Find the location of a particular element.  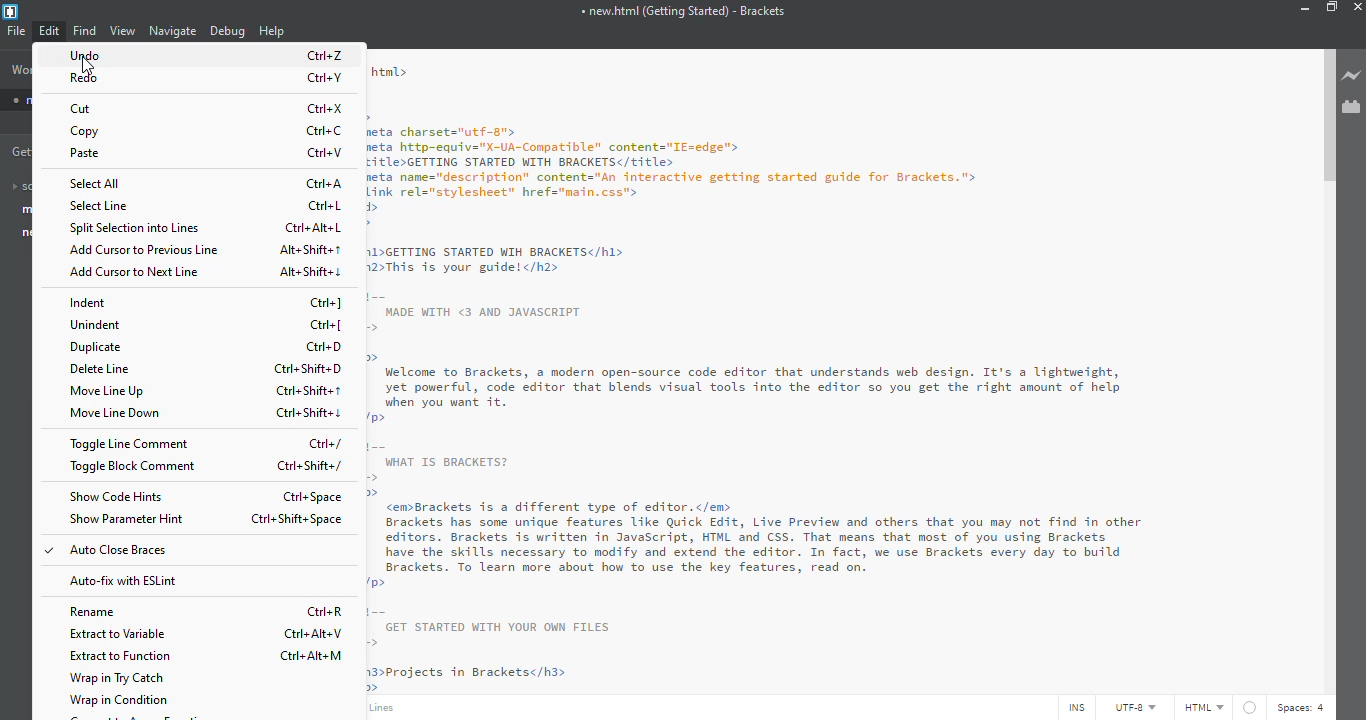

<!DOCTYPE html>
 <heal>
<head>

meta charset-rutf-ars

<heta hitp-equiv="X-U-Conpatible" content="IE-edge">

CEit1e>GETTING STARTED WITH BRACKETS</title>

<meta name="description” content="An interactive getting started guide for Brackets."

<link rel="stylesheet" href="main.css">

<head>

<body>

<hI>GETTING STARTED Wil BRACKETS</h1>

ha>This is your guidet</hz>
Ph

WADE WITH <3 AND JAVASCRIPT
EN is located at coordinates (687, 199).